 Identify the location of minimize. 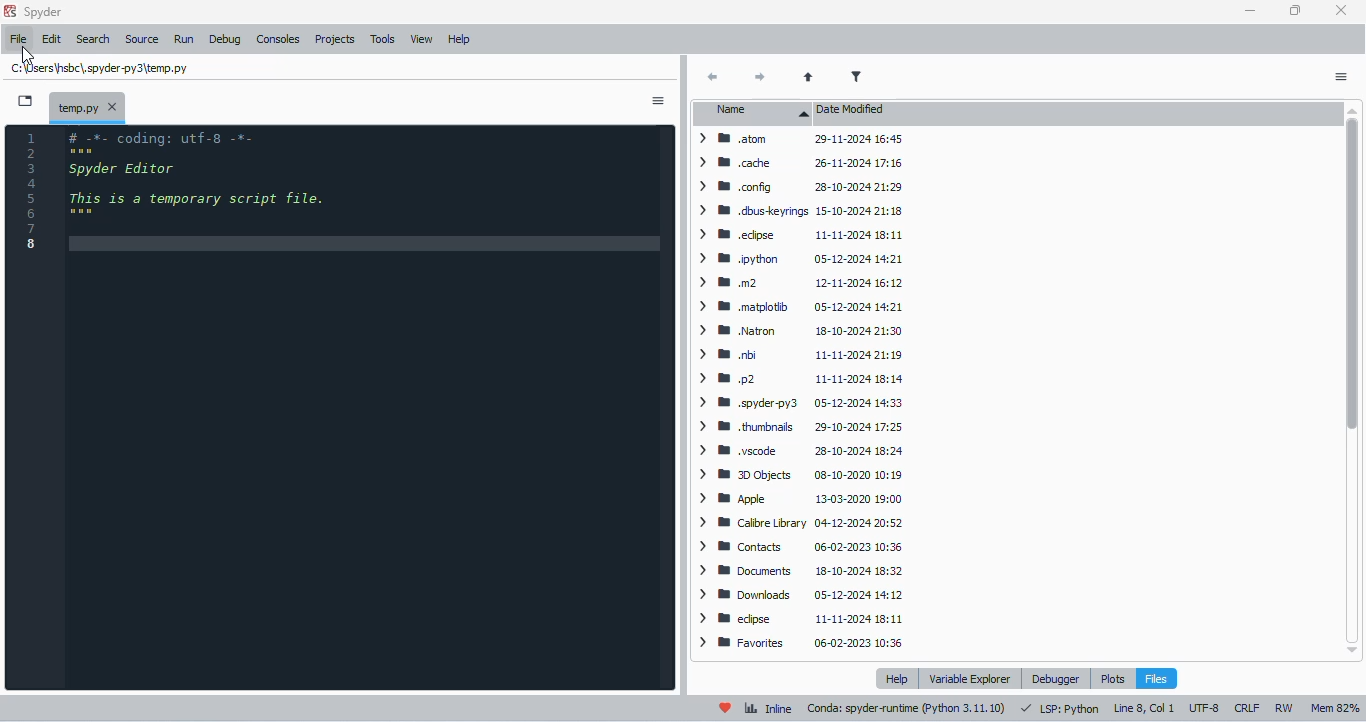
(1245, 13).